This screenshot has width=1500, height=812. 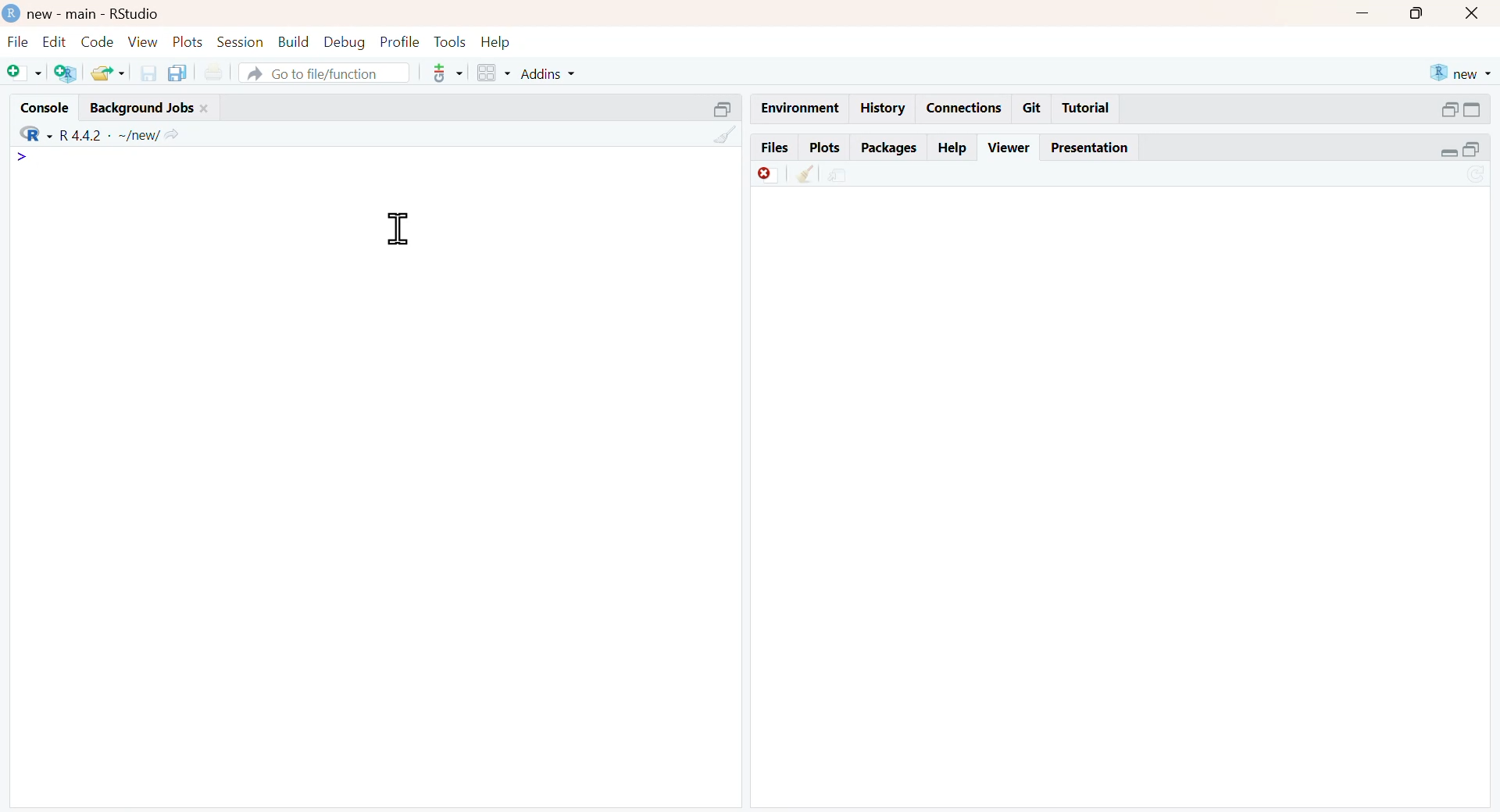 I want to click on Packages, so click(x=889, y=146).